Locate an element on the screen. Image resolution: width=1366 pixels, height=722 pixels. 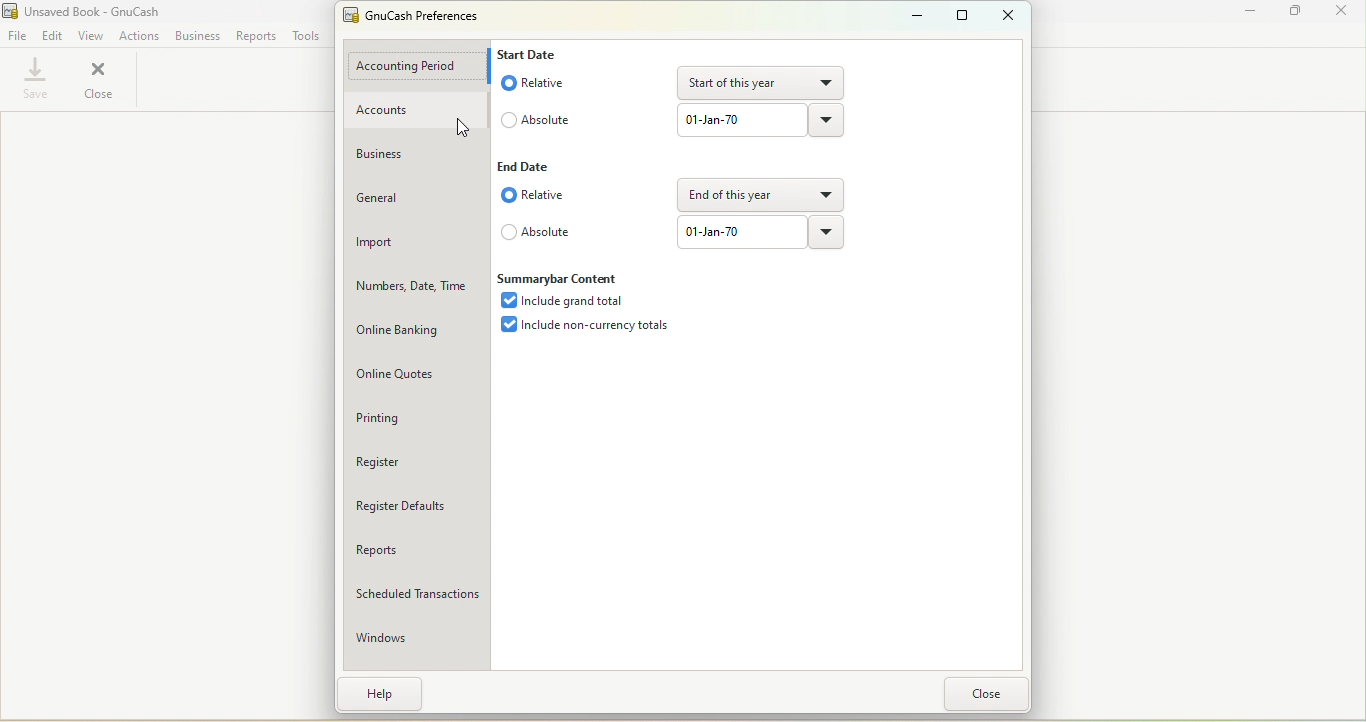
Accounting period is located at coordinates (419, 64).